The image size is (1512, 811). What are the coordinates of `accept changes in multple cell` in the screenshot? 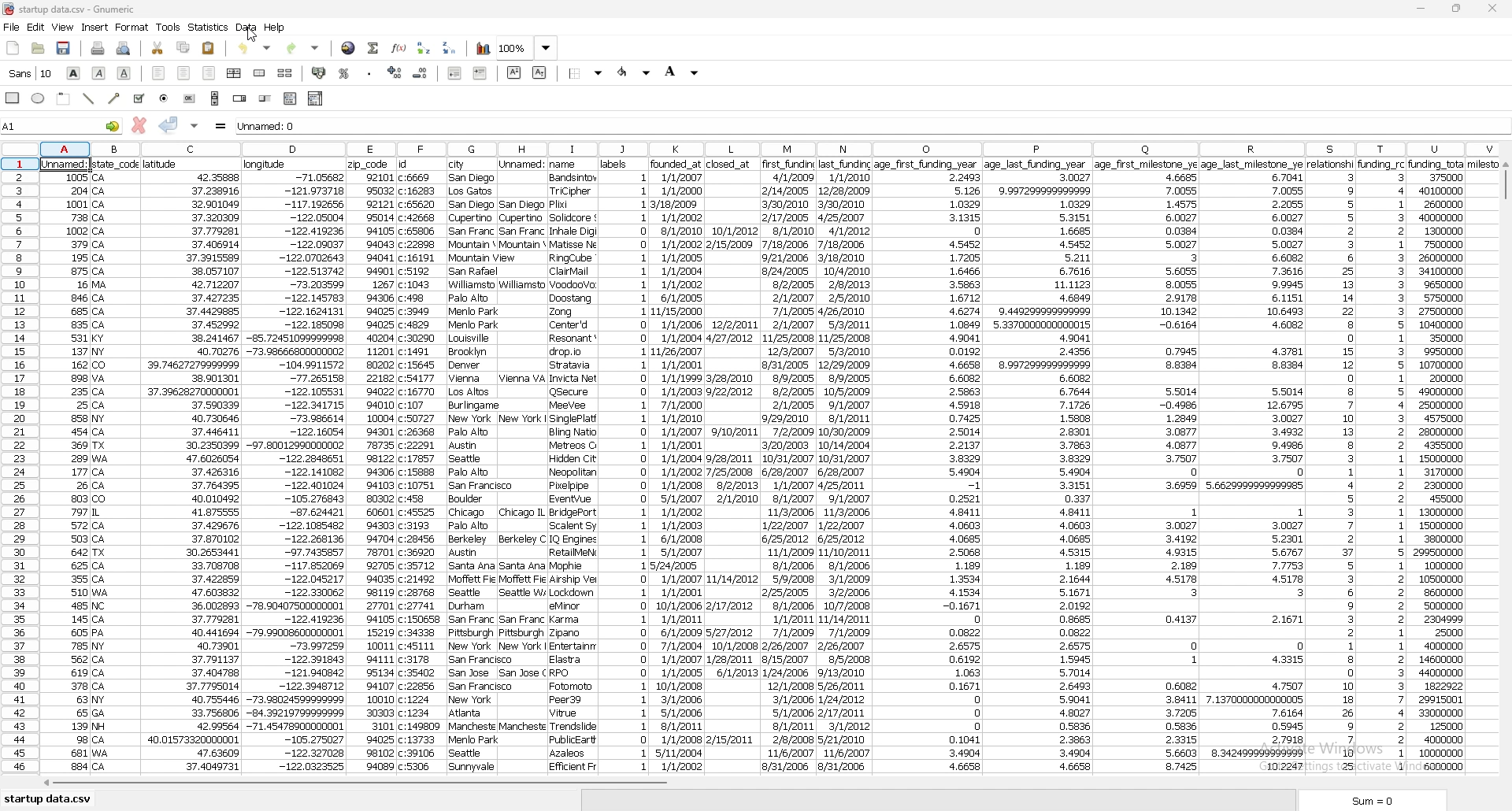 It's located at (194, 126).